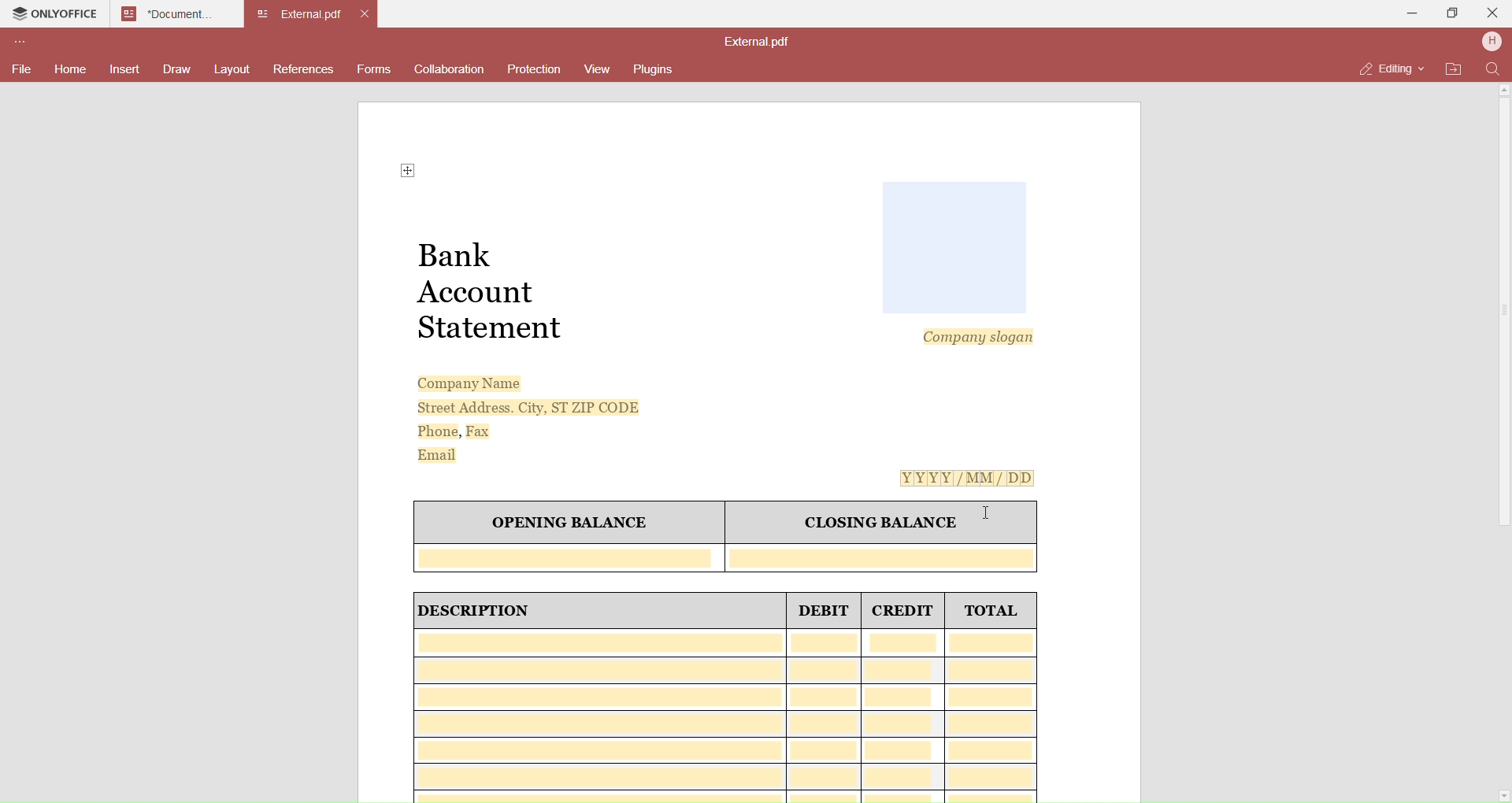  Describe the element at coordinates (449, 432) in the screenshot. I see `Phone, Fax` at that location.